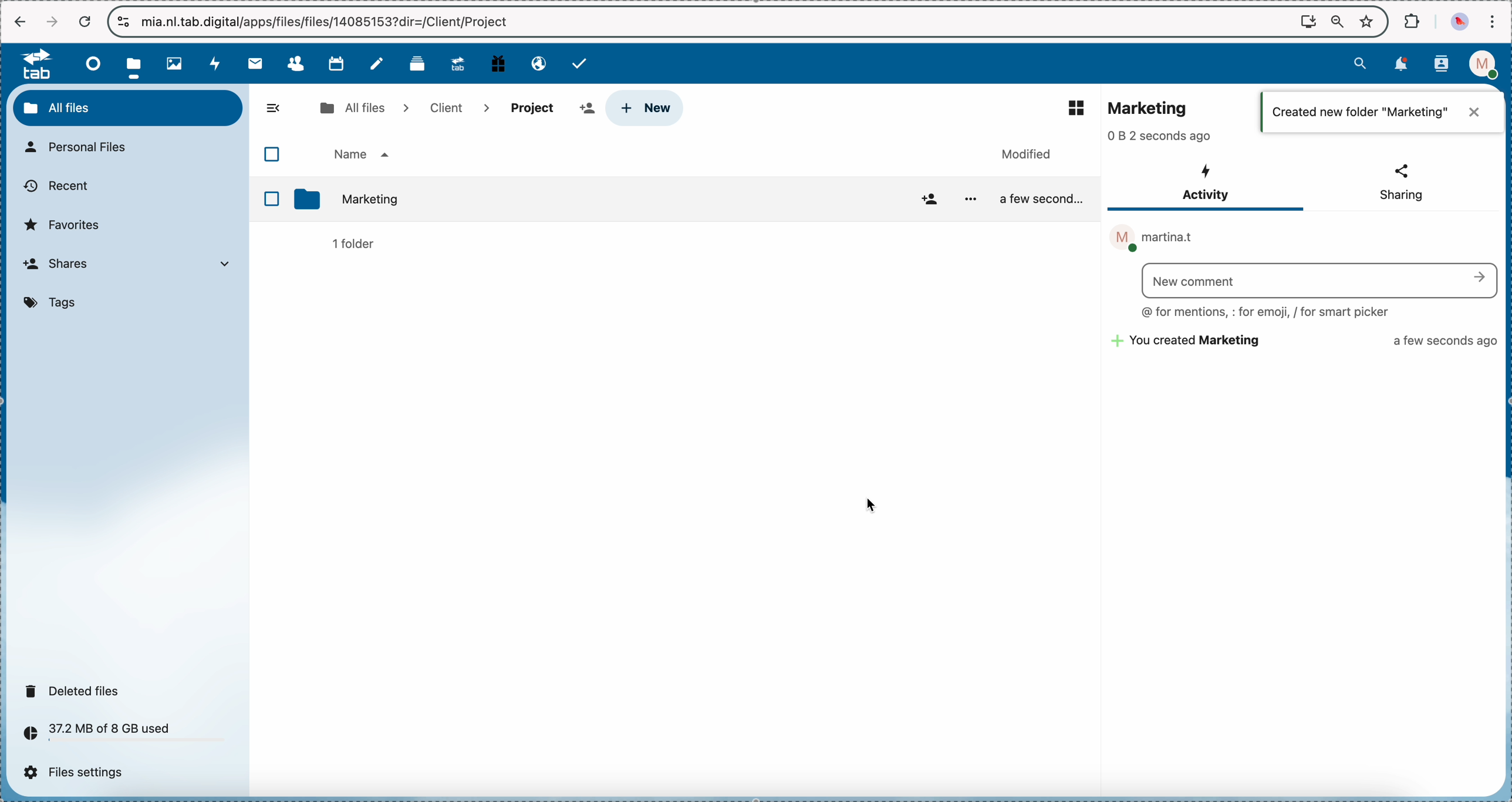 The width and height of the screenshot is (1512, 802). I want to click on favorites, so click(66, 224).